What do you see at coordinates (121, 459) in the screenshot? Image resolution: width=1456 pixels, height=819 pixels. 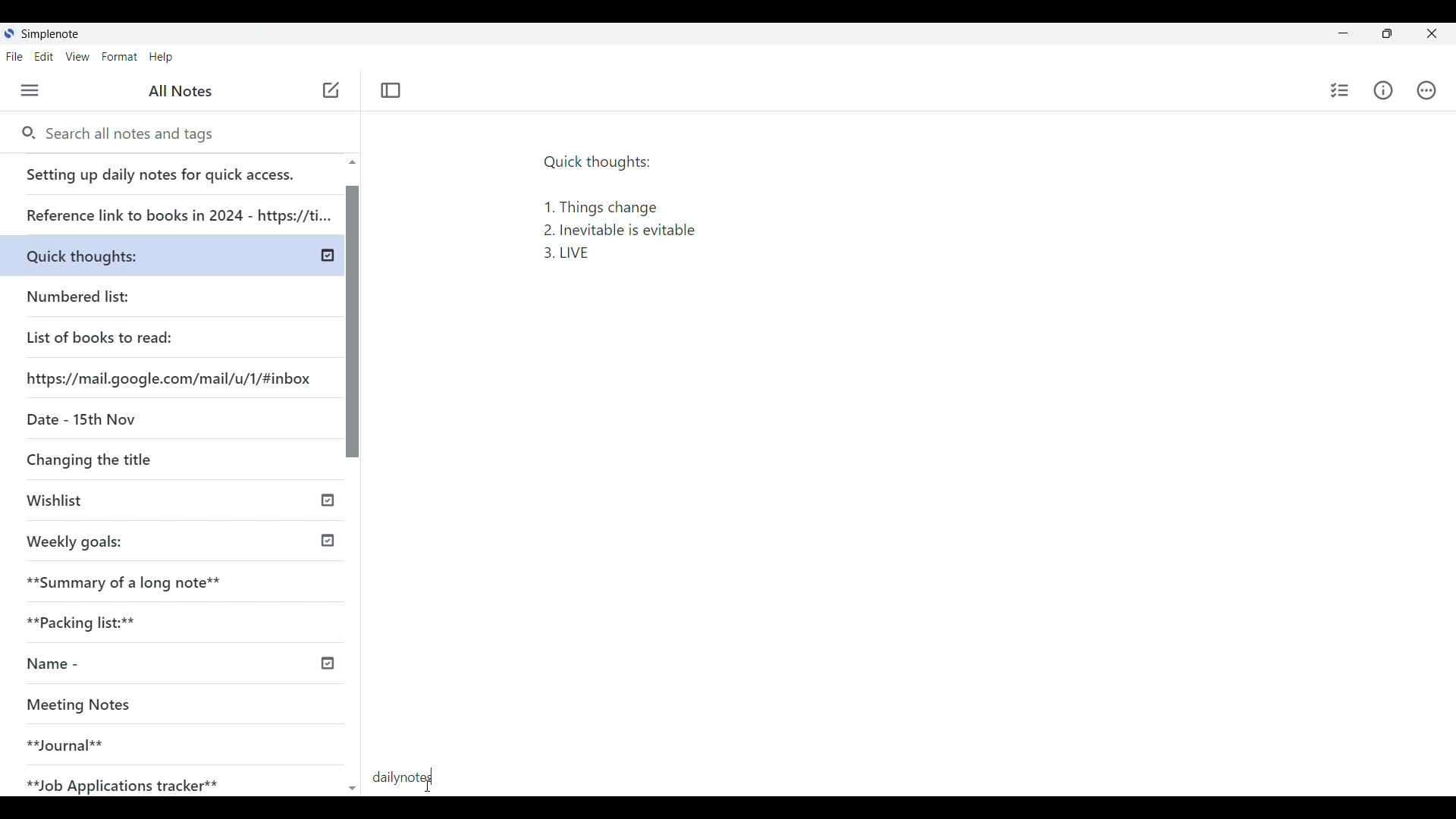 I see `Changing the title` at bounding box center [121, 459].